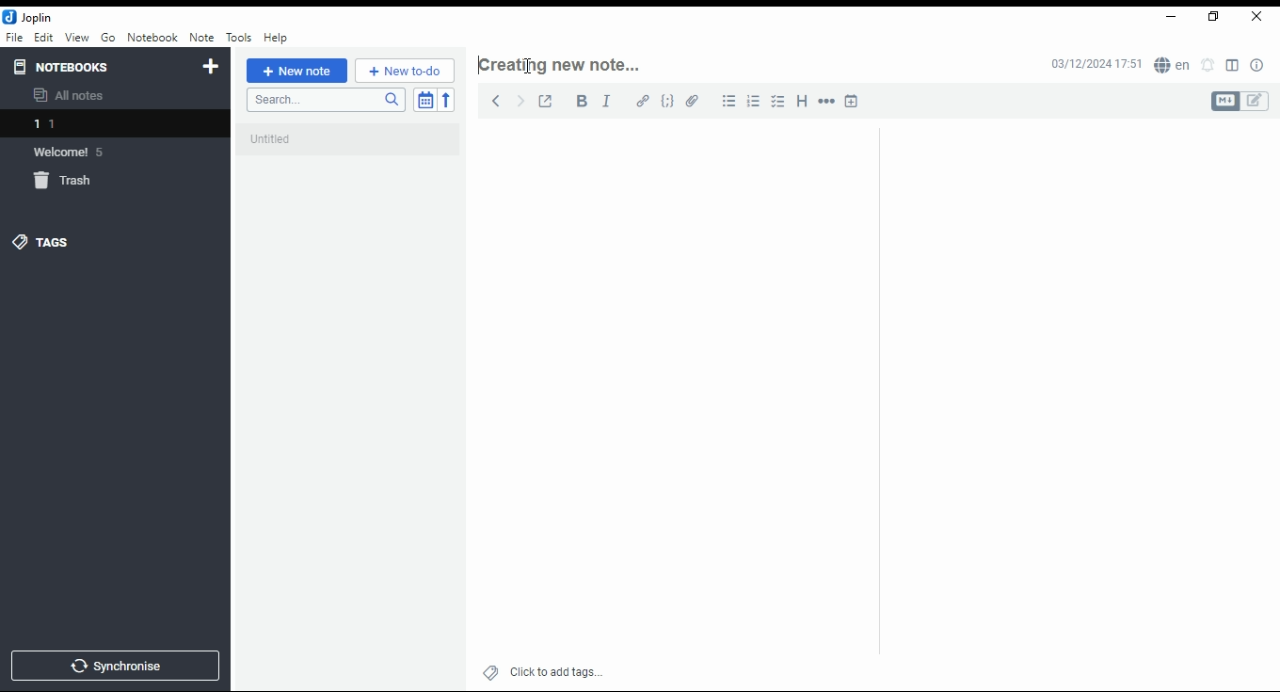  Describe the element at coordinates (115, 666) in the screenshot. I see `synchronise` at that location.